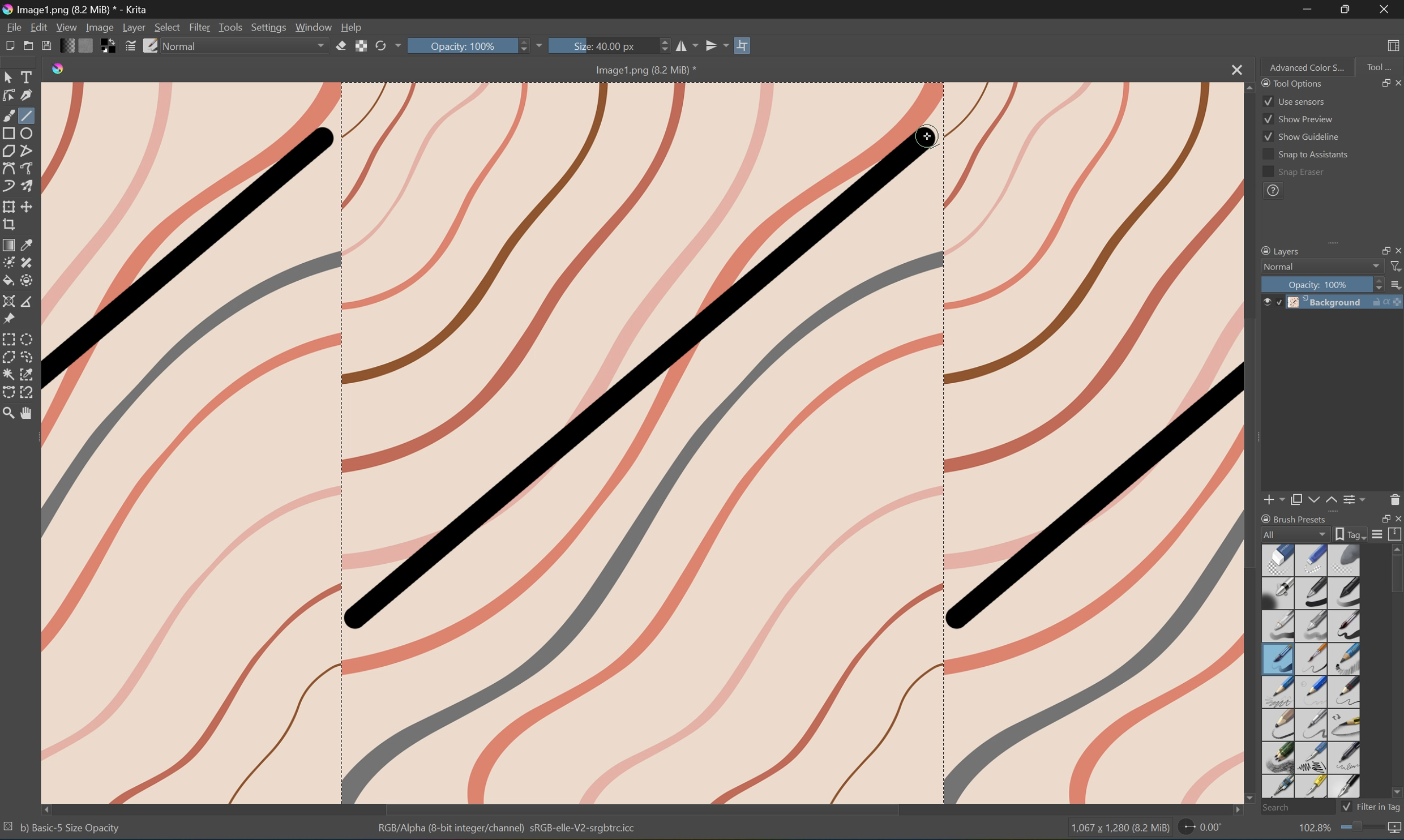 The image size is (1404, 840). I want to click on Help, so click(354, 28).